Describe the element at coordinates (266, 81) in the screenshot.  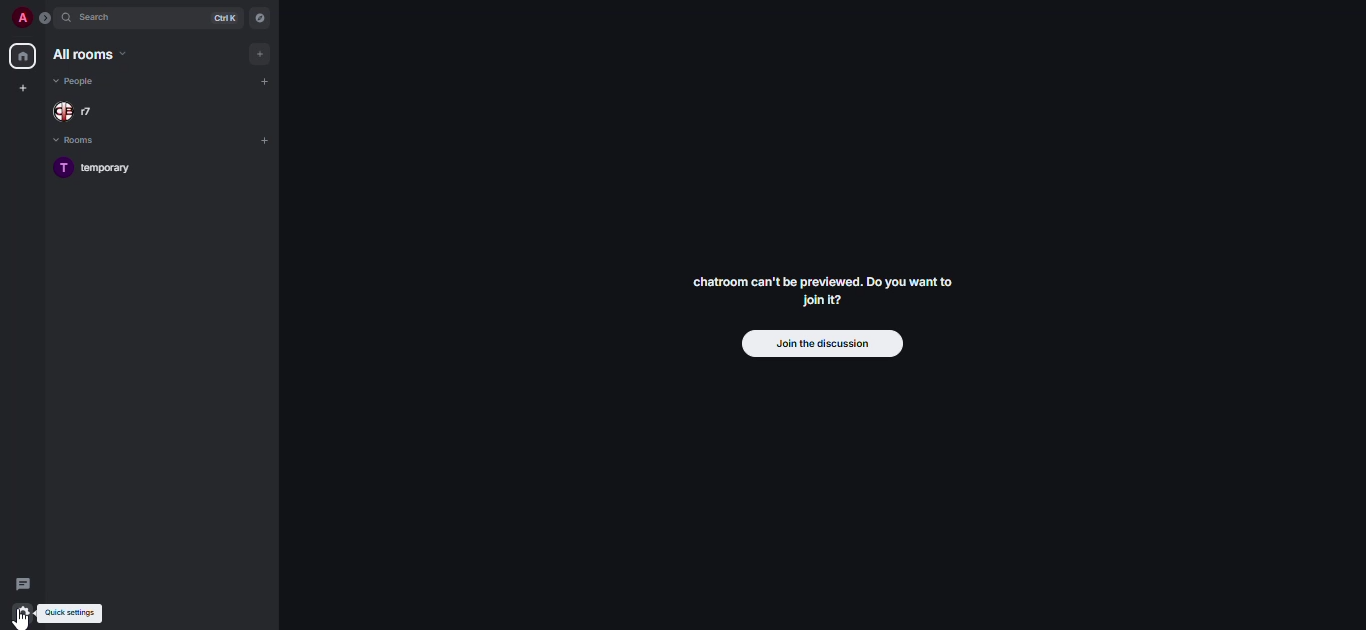
I see `add` at that location.